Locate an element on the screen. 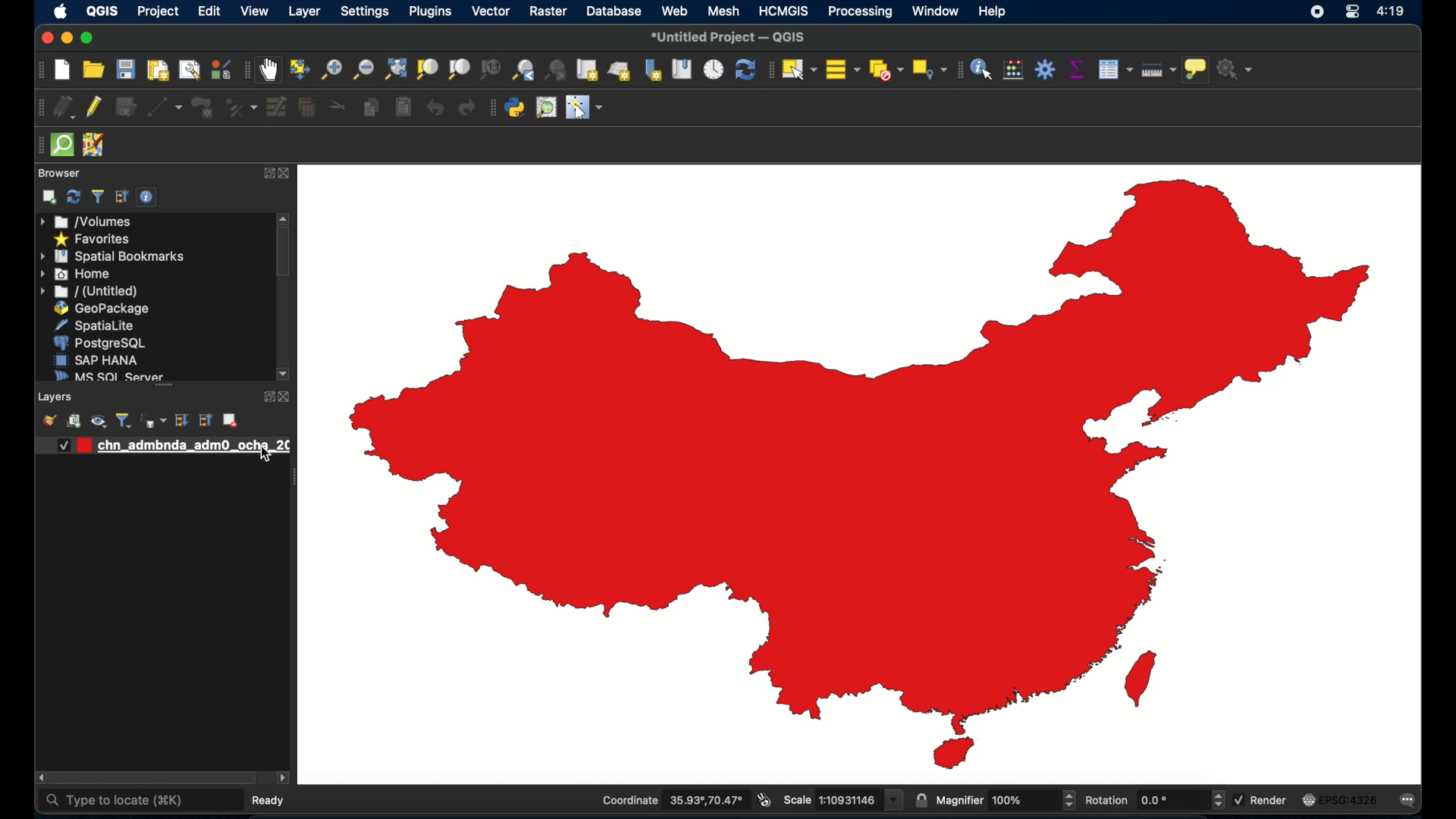 Image resolution: width=1456 pixels, height=819 pixels. selection toolbar is located at coordinates (767, 71).